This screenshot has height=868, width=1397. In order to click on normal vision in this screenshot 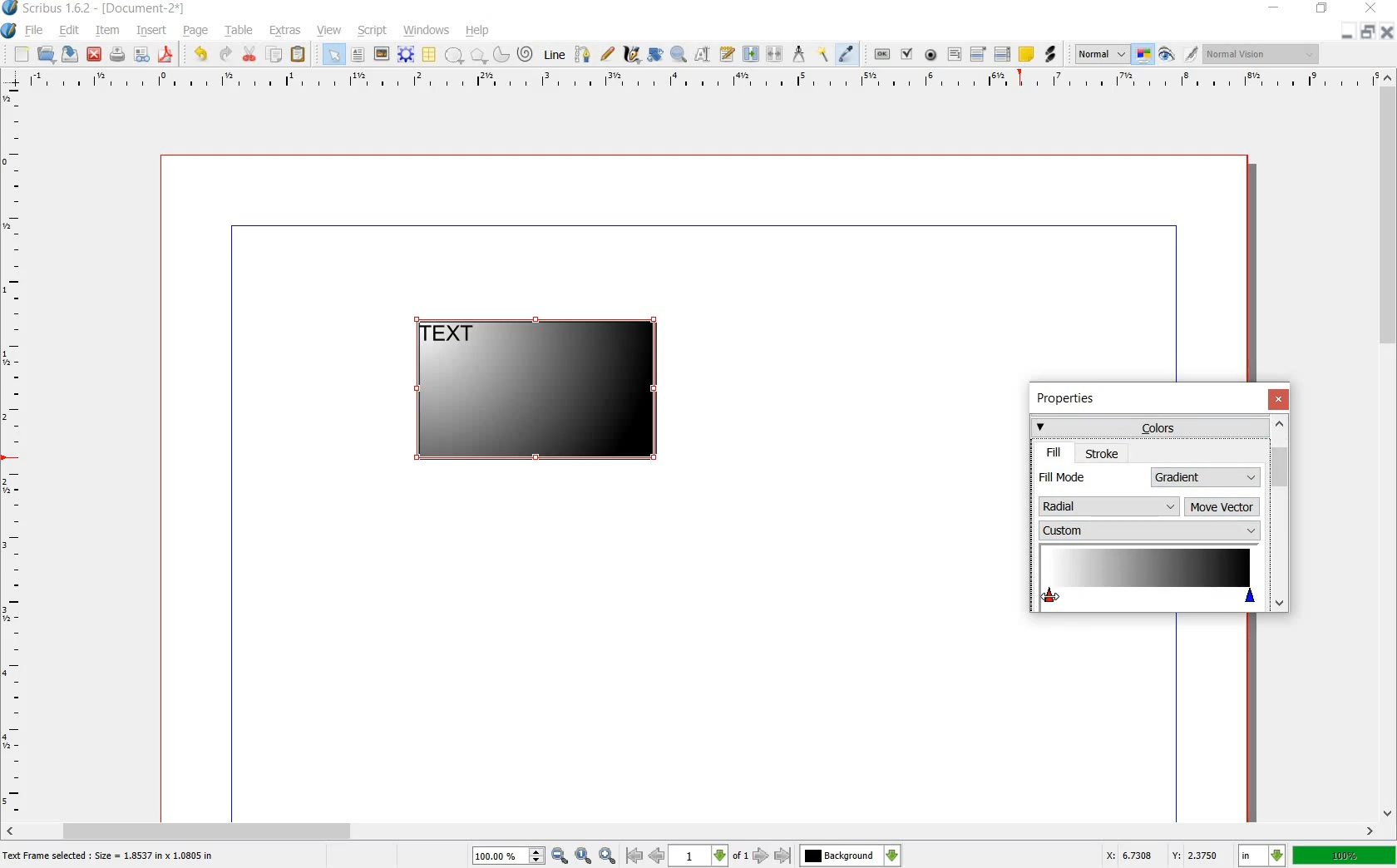, I will do `click(1264, 53)`.